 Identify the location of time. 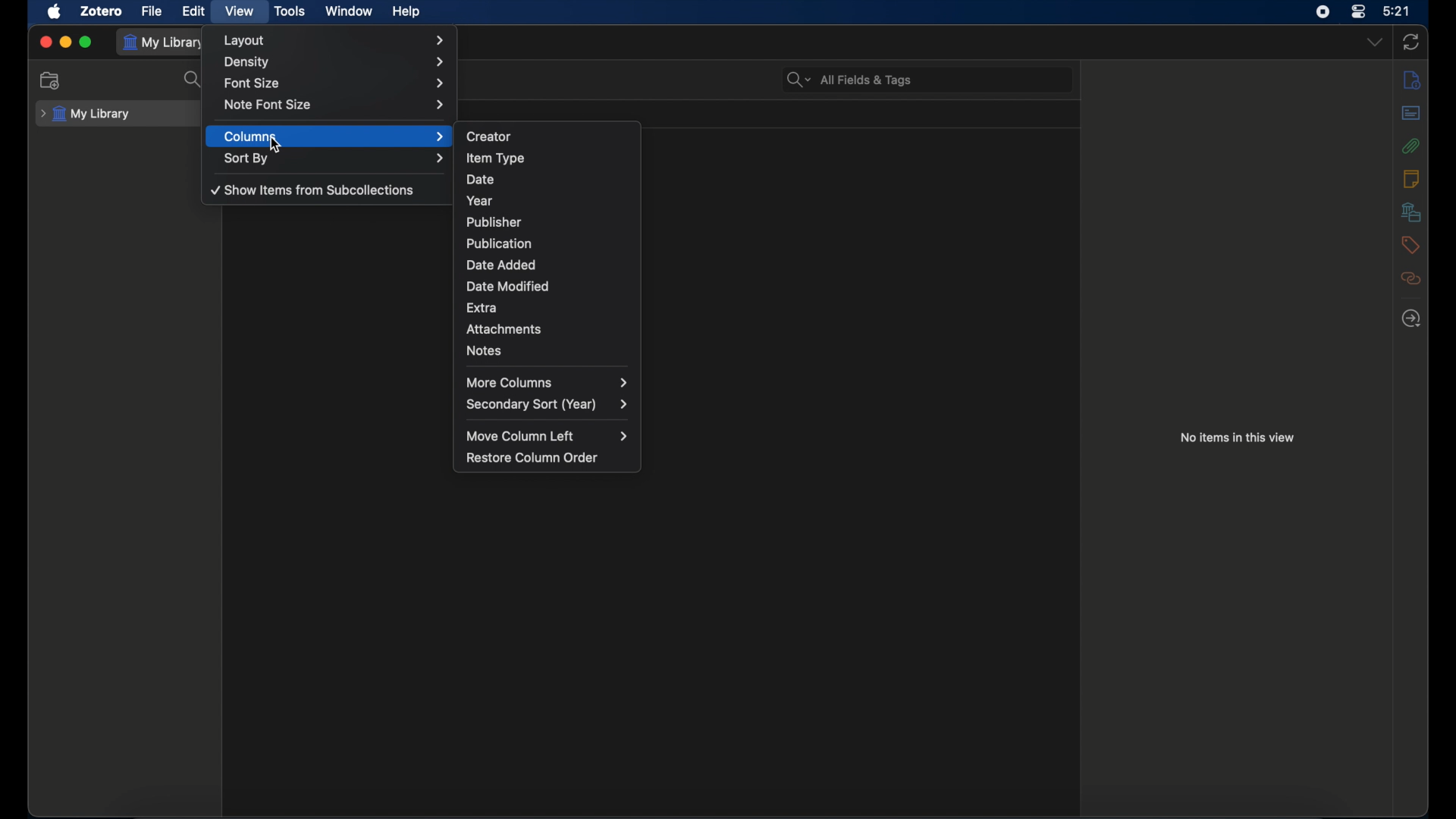
(1397, 11).